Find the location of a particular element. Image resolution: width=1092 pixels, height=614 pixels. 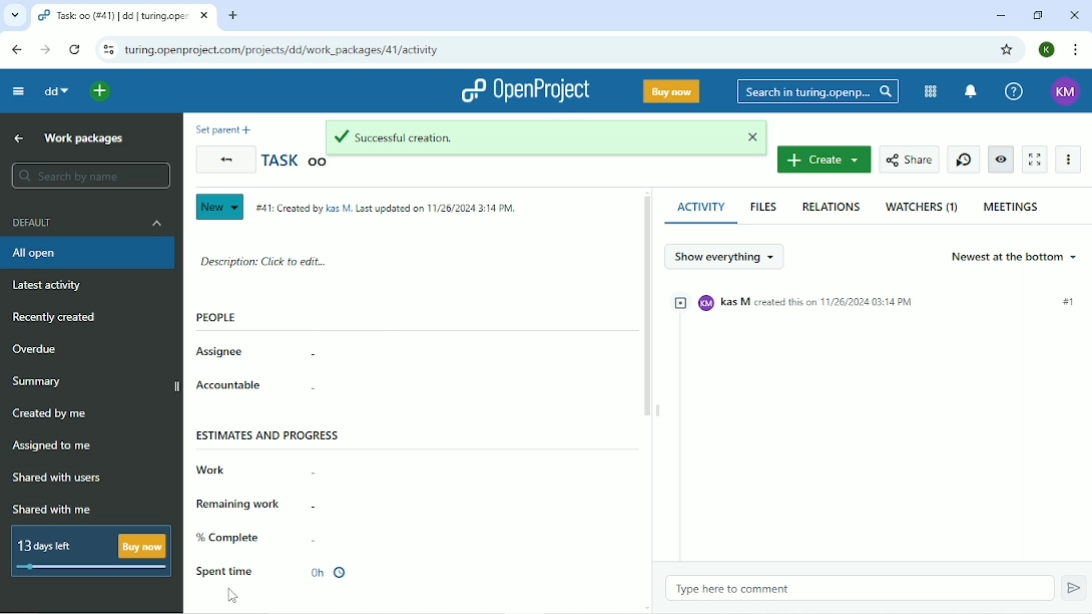

Submit comment is located at coordinates (1075, 585).